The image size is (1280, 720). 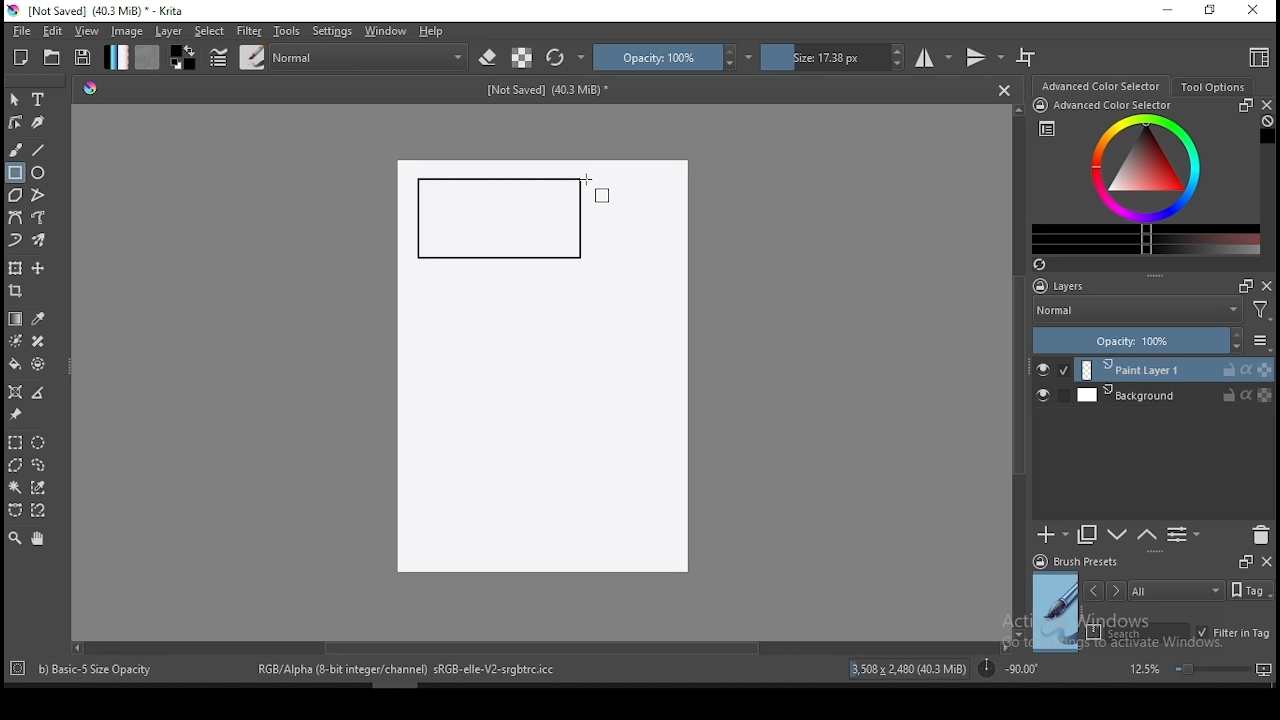 What do you see at coordinates (126, 31) in the screenshot?
I see `image` at bounding box center [126, 31].